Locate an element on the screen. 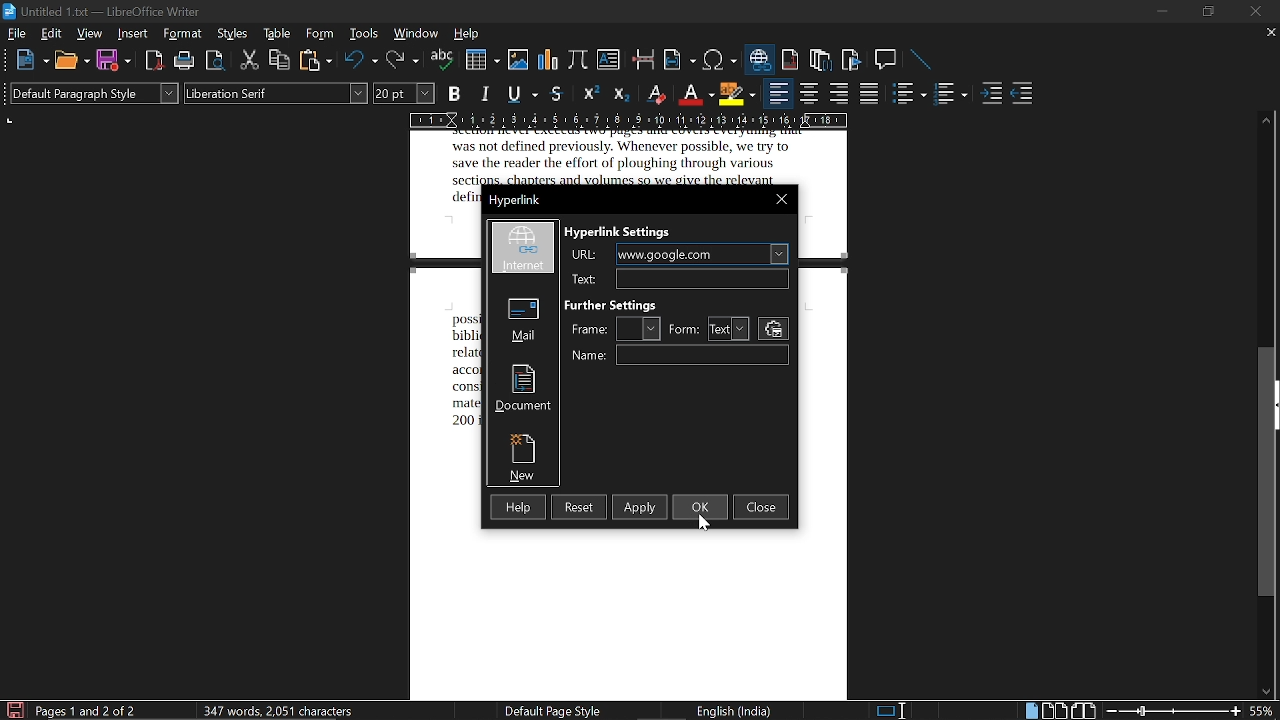  cursor is located at coordinates (707, 527).